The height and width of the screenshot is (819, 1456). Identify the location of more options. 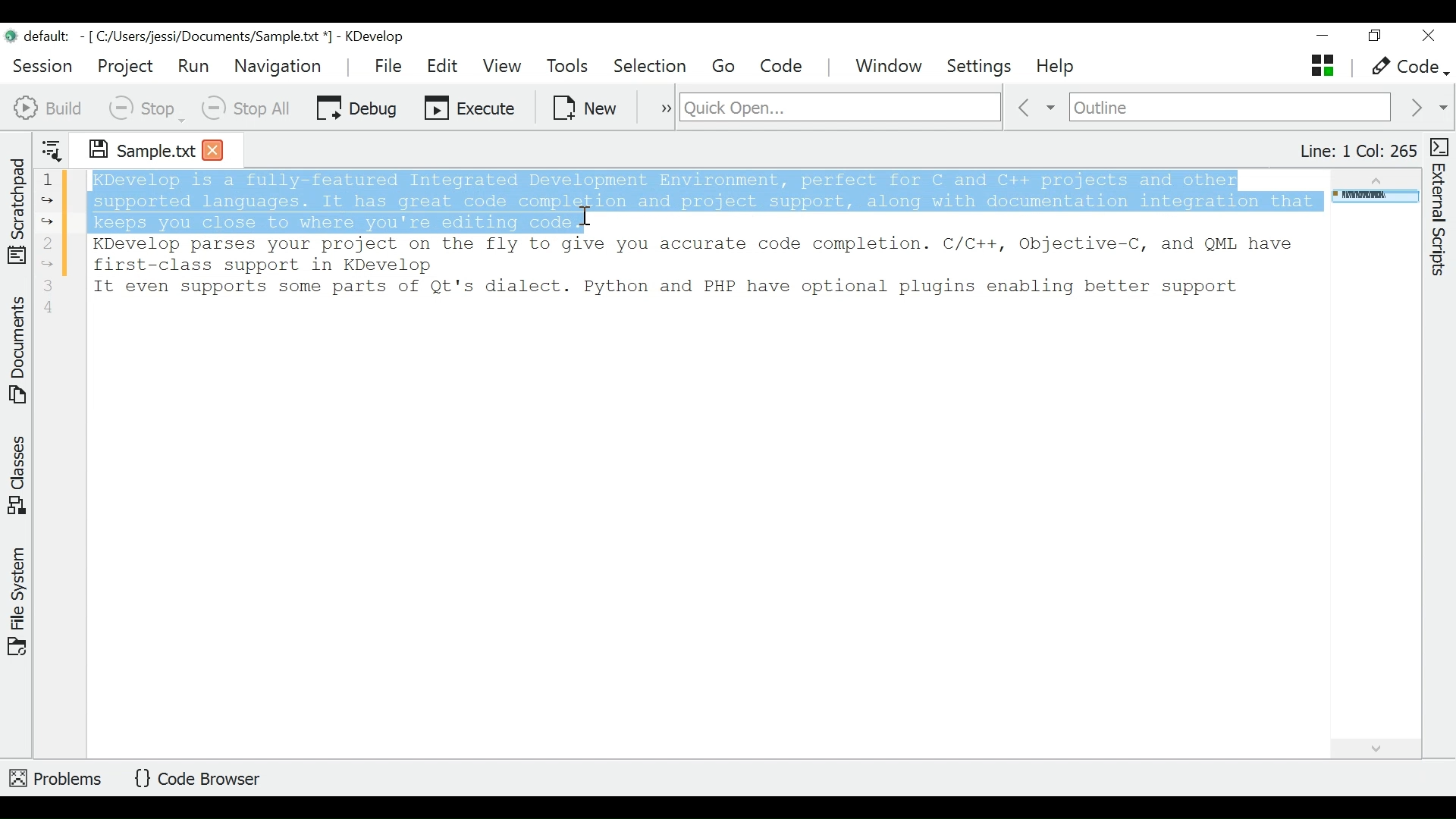
(658, 106).